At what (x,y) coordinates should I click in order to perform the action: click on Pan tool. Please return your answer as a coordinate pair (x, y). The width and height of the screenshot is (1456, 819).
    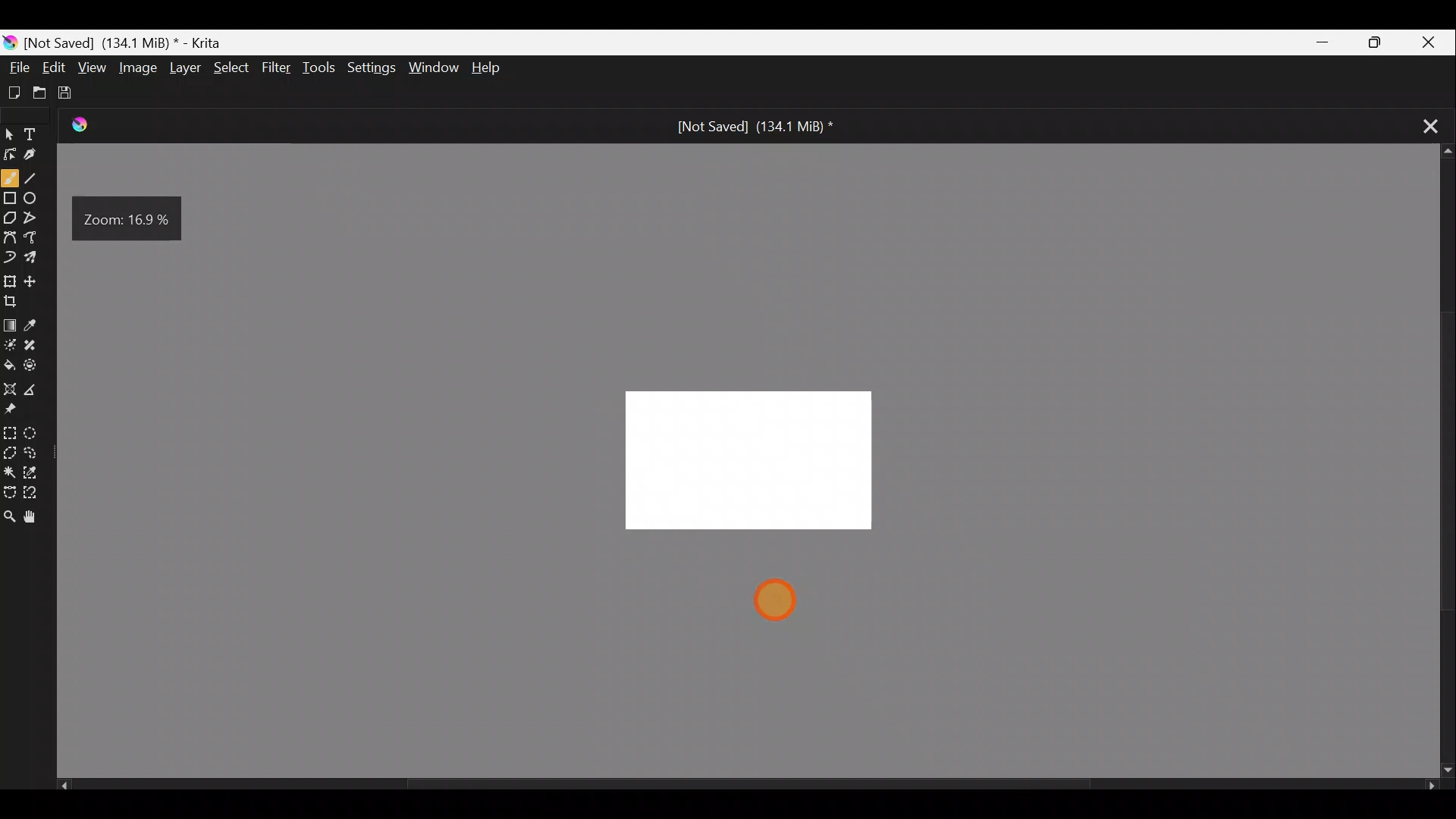
    Looking at the image, I should click on (33, 518).